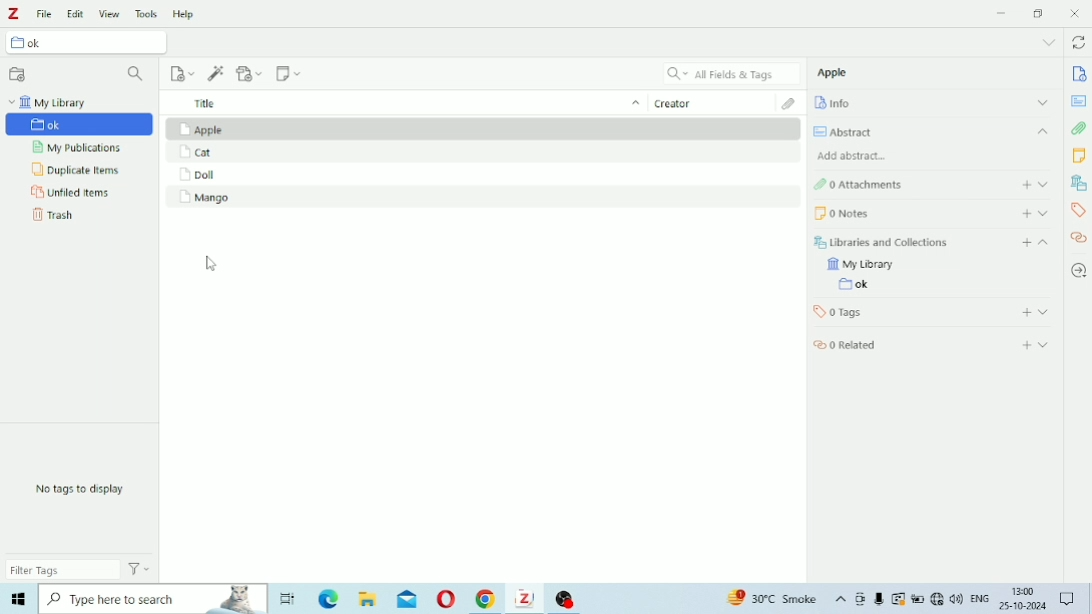 This screenshot has height=614, width=1092. I want to click on My Library, so click(50, 100).